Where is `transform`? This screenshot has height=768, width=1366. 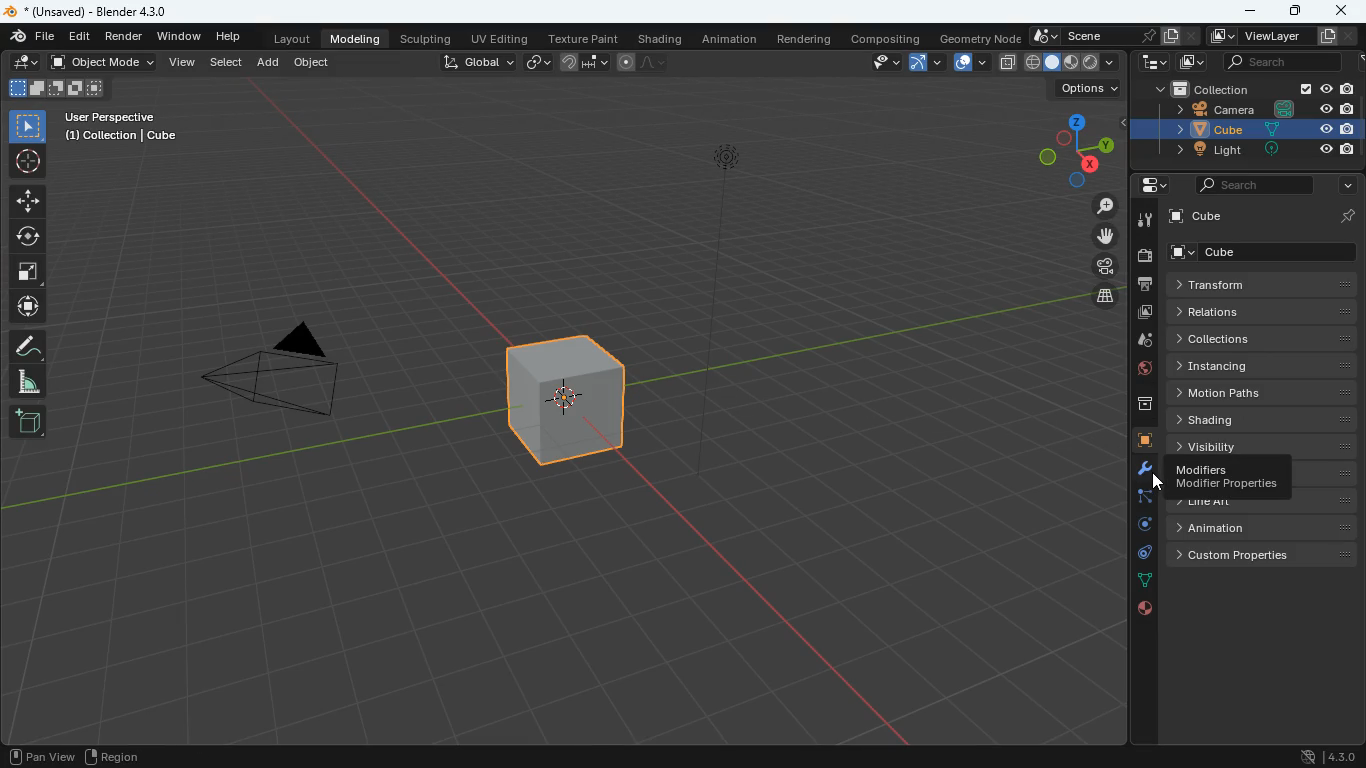 transform is located at coordinates (1259, 285).